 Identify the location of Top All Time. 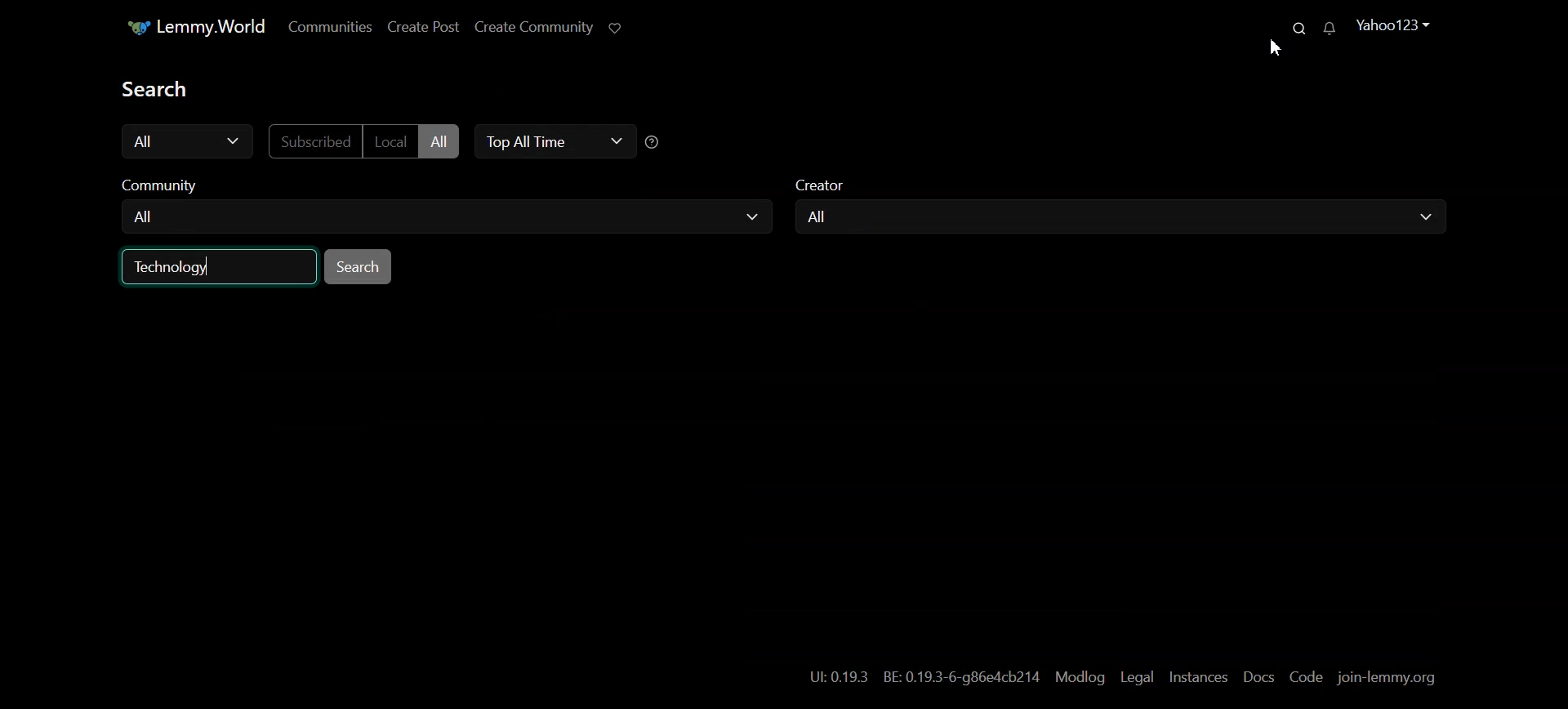
(555, 141).